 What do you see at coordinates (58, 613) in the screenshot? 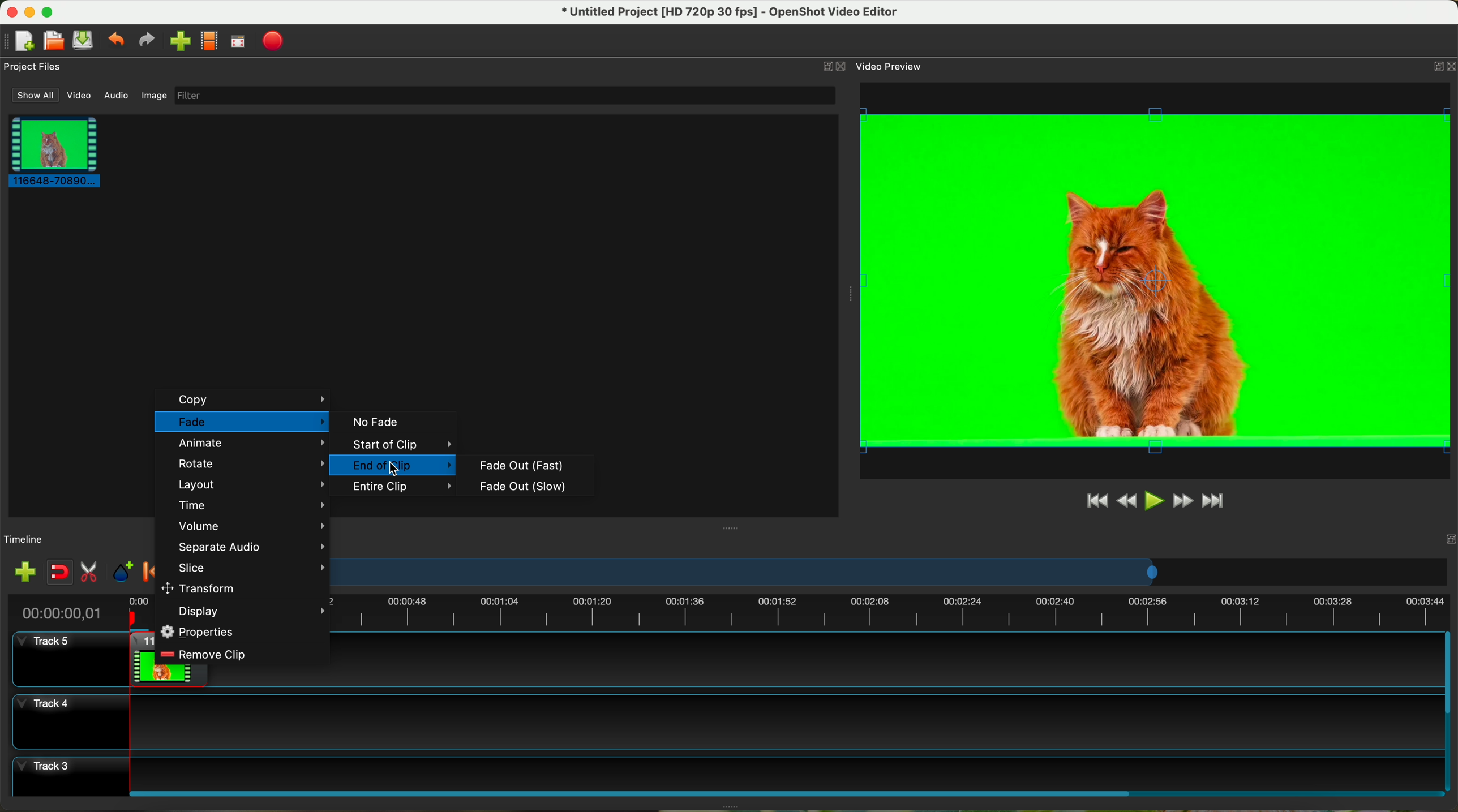
I see `time` at bounding box center [58, 613].